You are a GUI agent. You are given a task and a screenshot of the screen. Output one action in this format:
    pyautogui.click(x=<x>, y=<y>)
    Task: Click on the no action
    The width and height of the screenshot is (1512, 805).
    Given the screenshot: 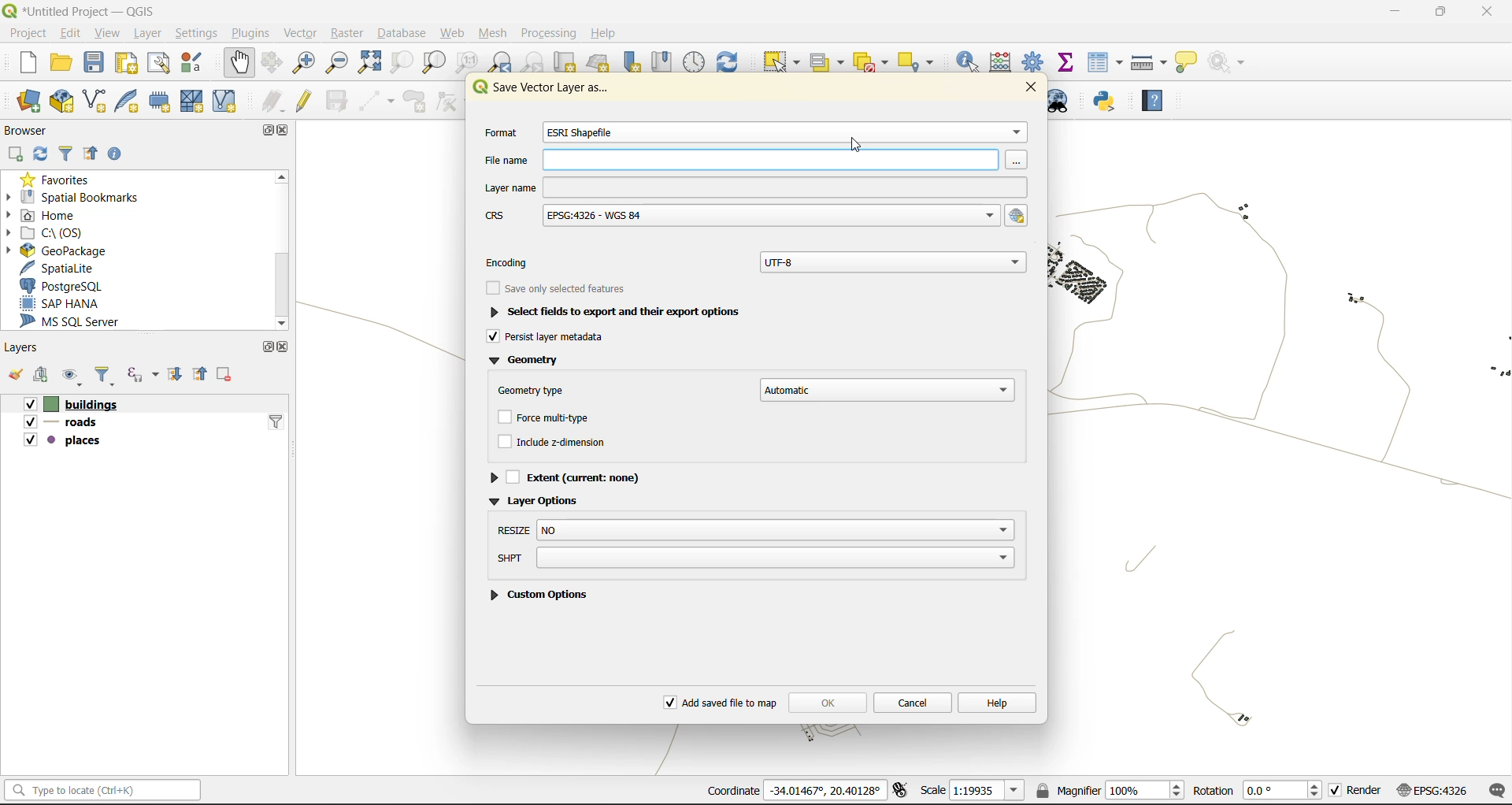 What is the action you would take?
    pyautogui.click(x=1232, y=62)
    